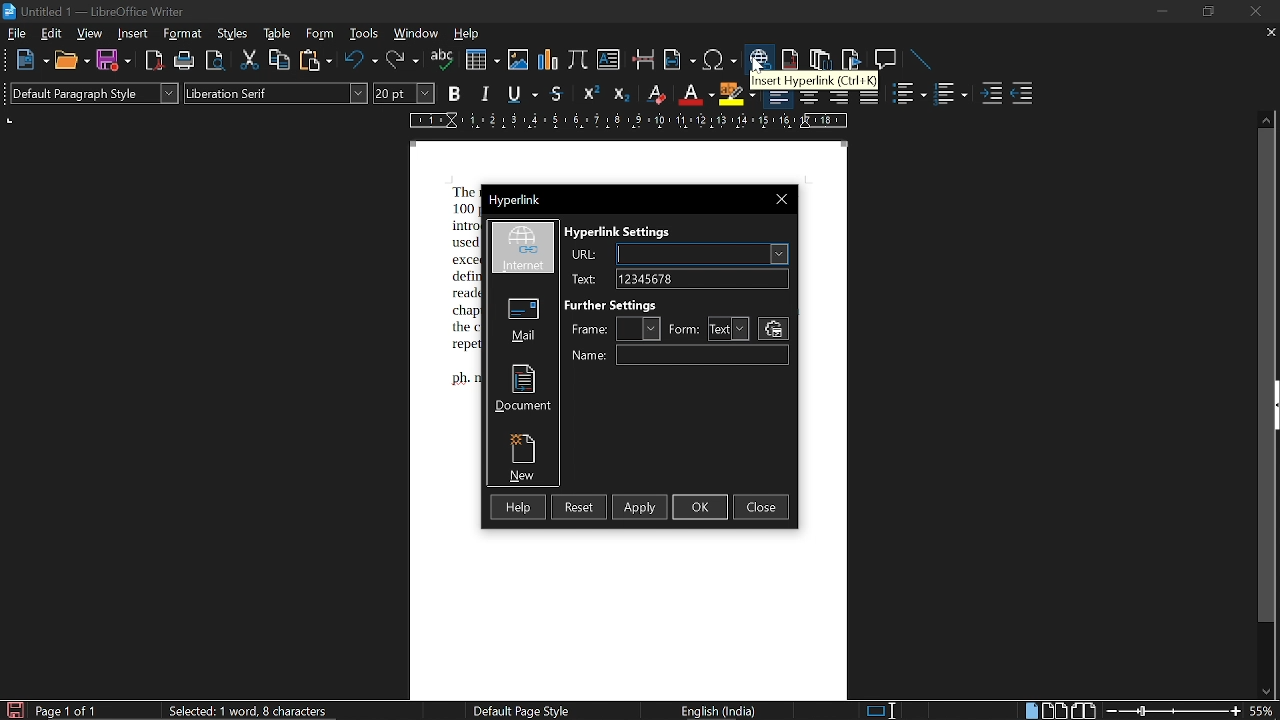 This screenshot has width=1280, height=720. I want to click on insert bibliography, so click(850, 61).